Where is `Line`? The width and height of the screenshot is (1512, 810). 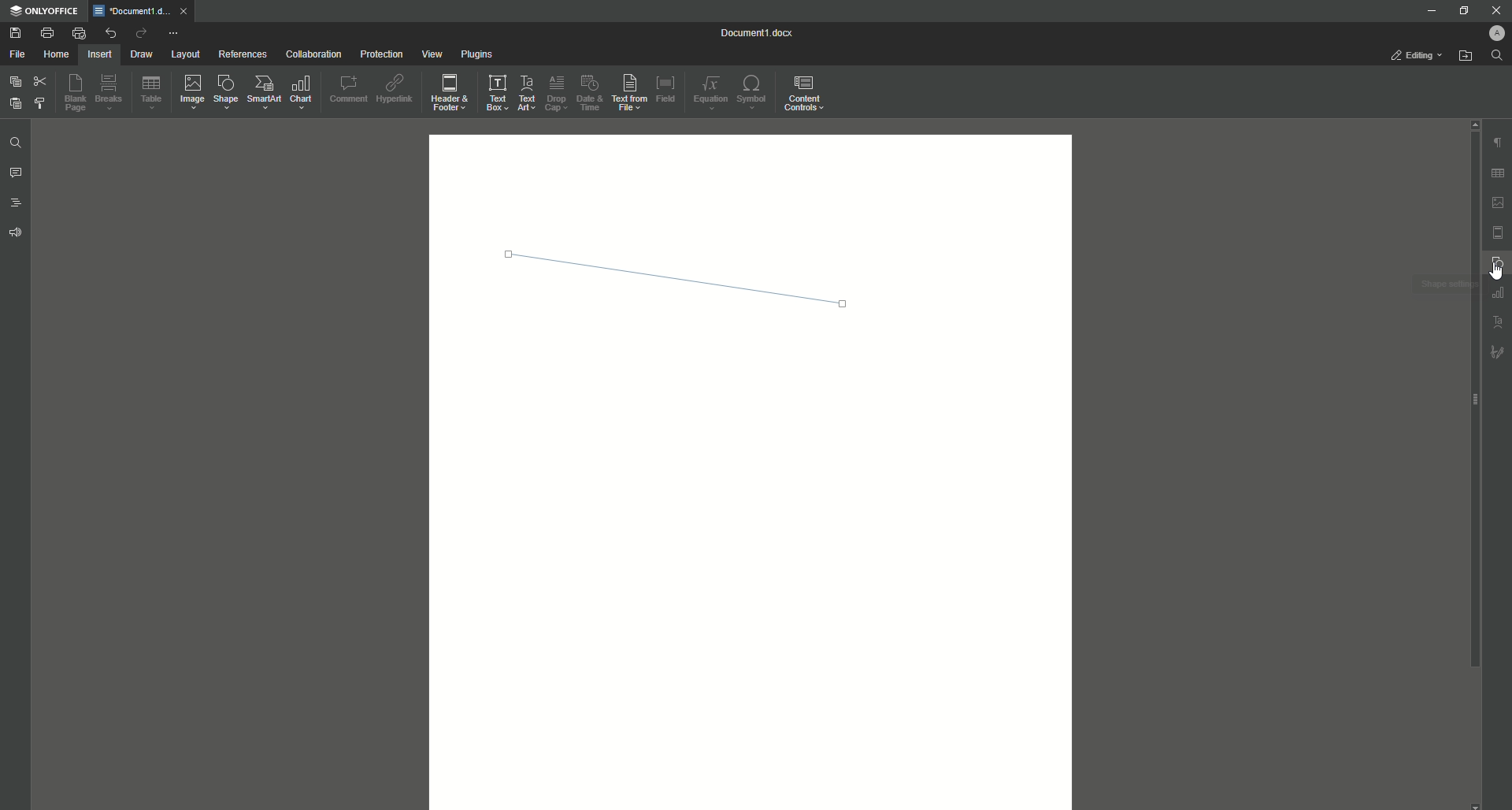 Line is located at coordinates (683, 283).